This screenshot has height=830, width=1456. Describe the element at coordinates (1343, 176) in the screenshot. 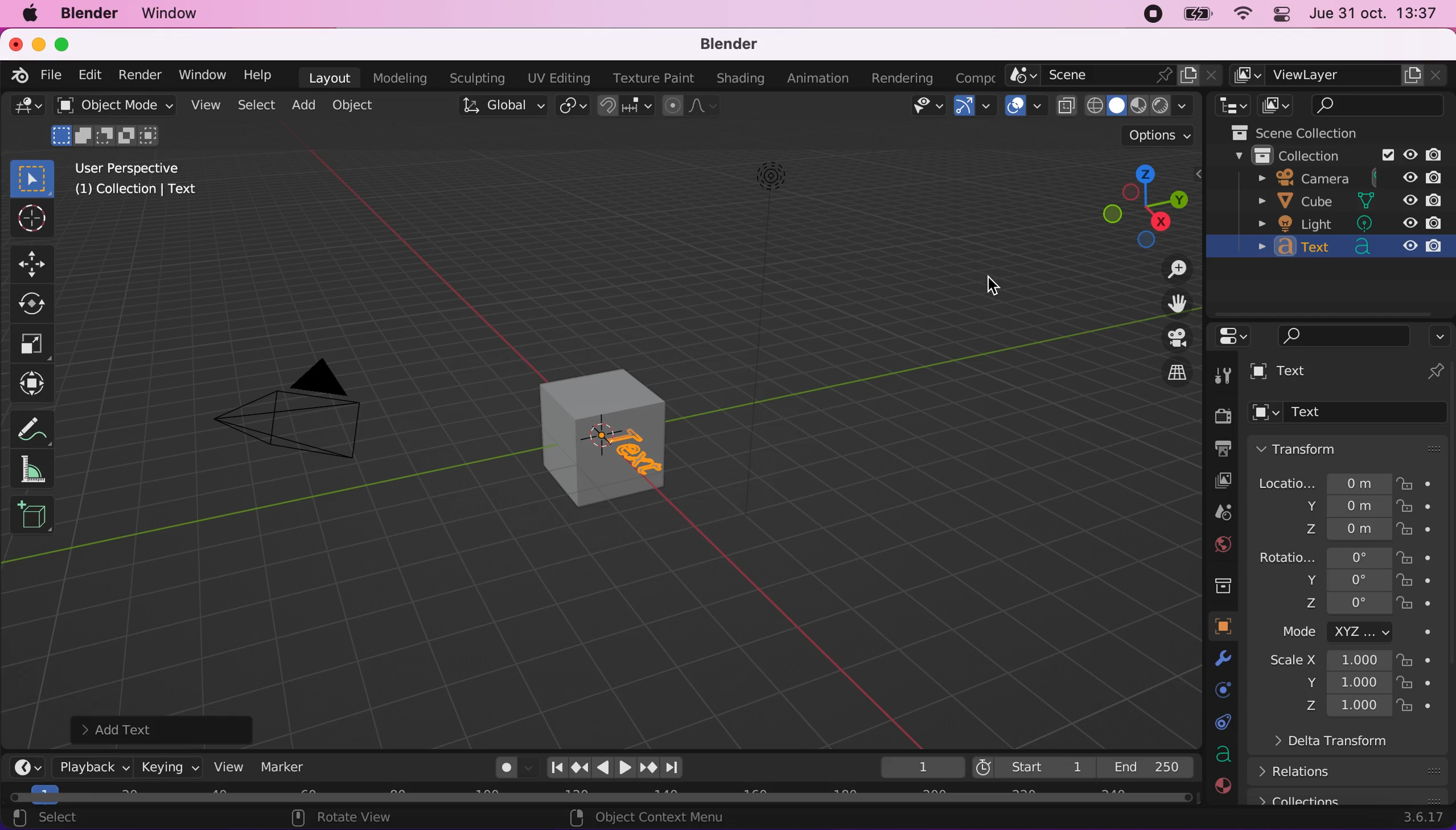

I see `camera` at that location.